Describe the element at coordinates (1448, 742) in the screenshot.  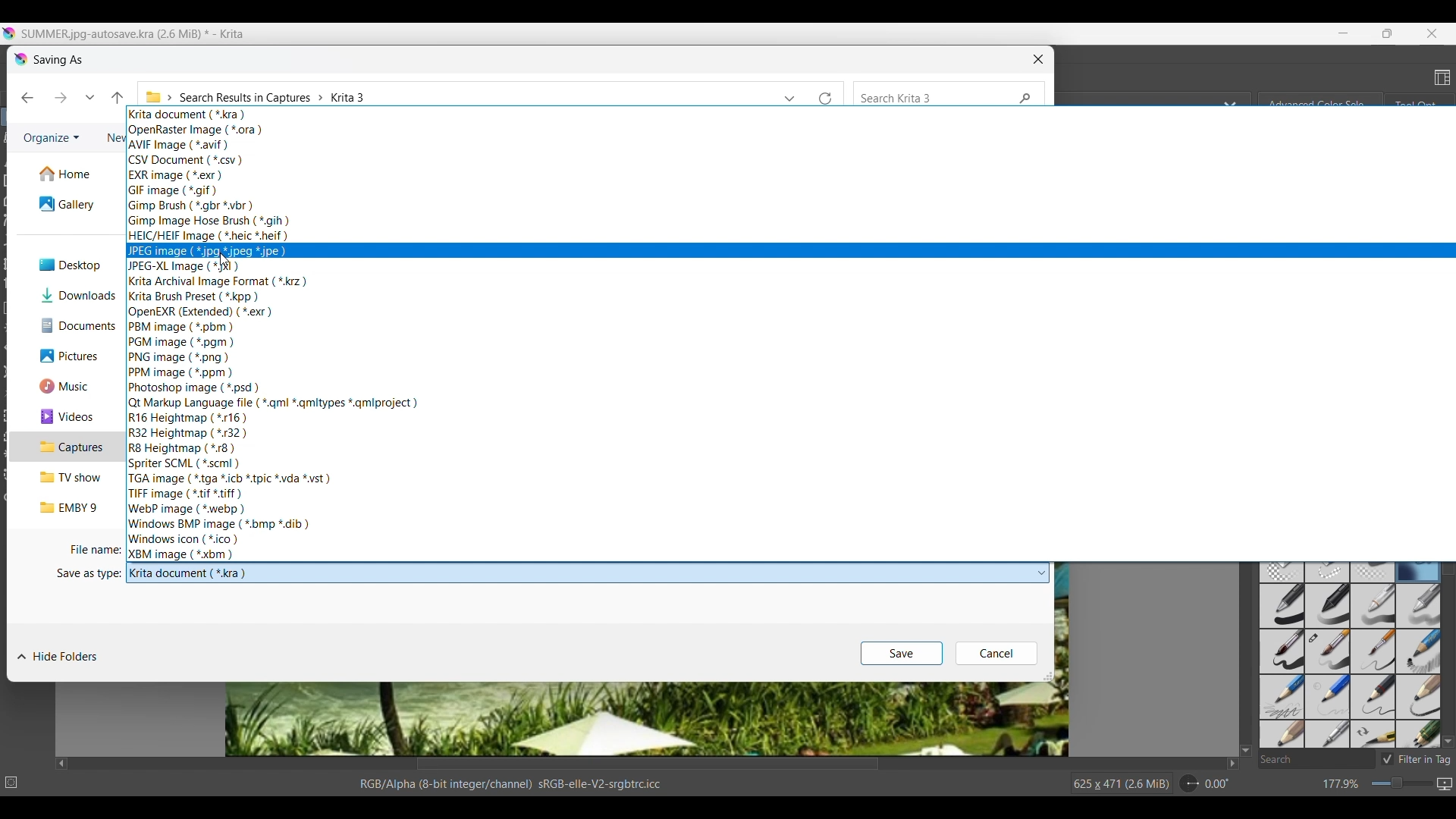
I see `Quick slide to bottom` at that location.